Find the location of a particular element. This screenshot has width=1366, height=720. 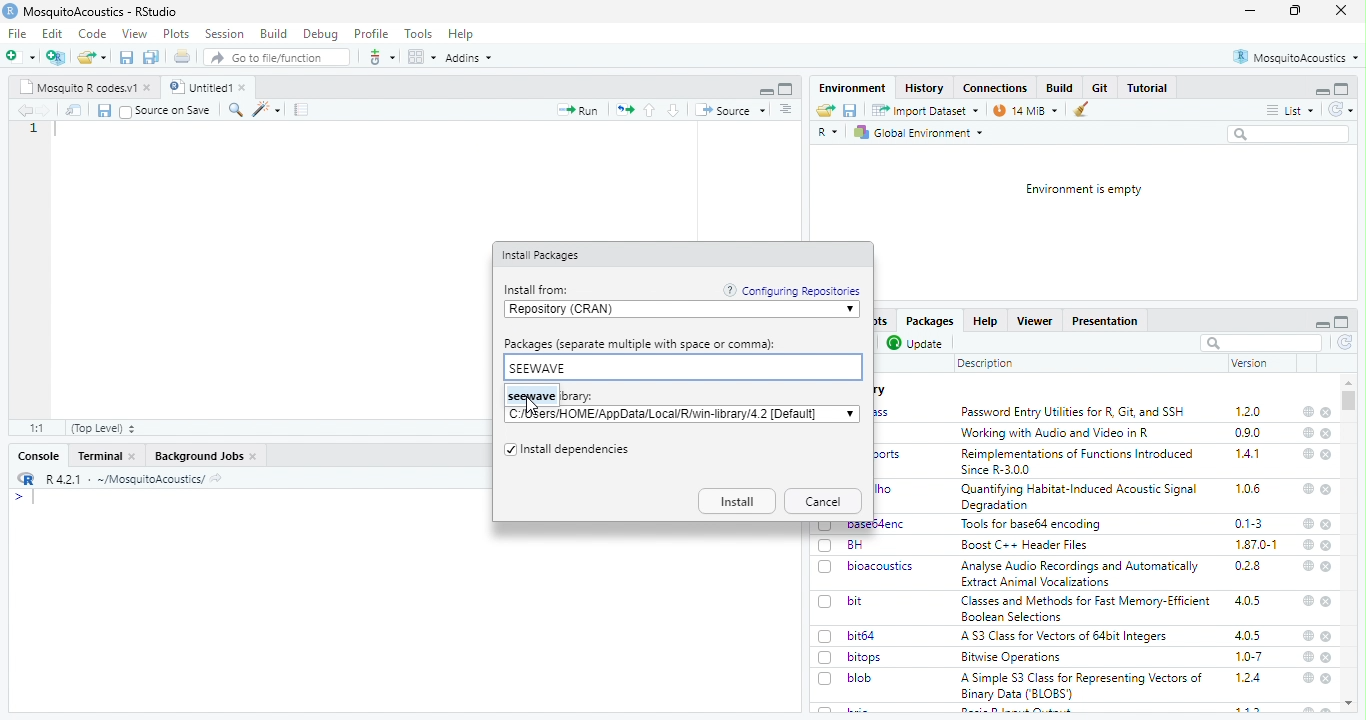

Tutorial is located at coordinates (1148, 88).